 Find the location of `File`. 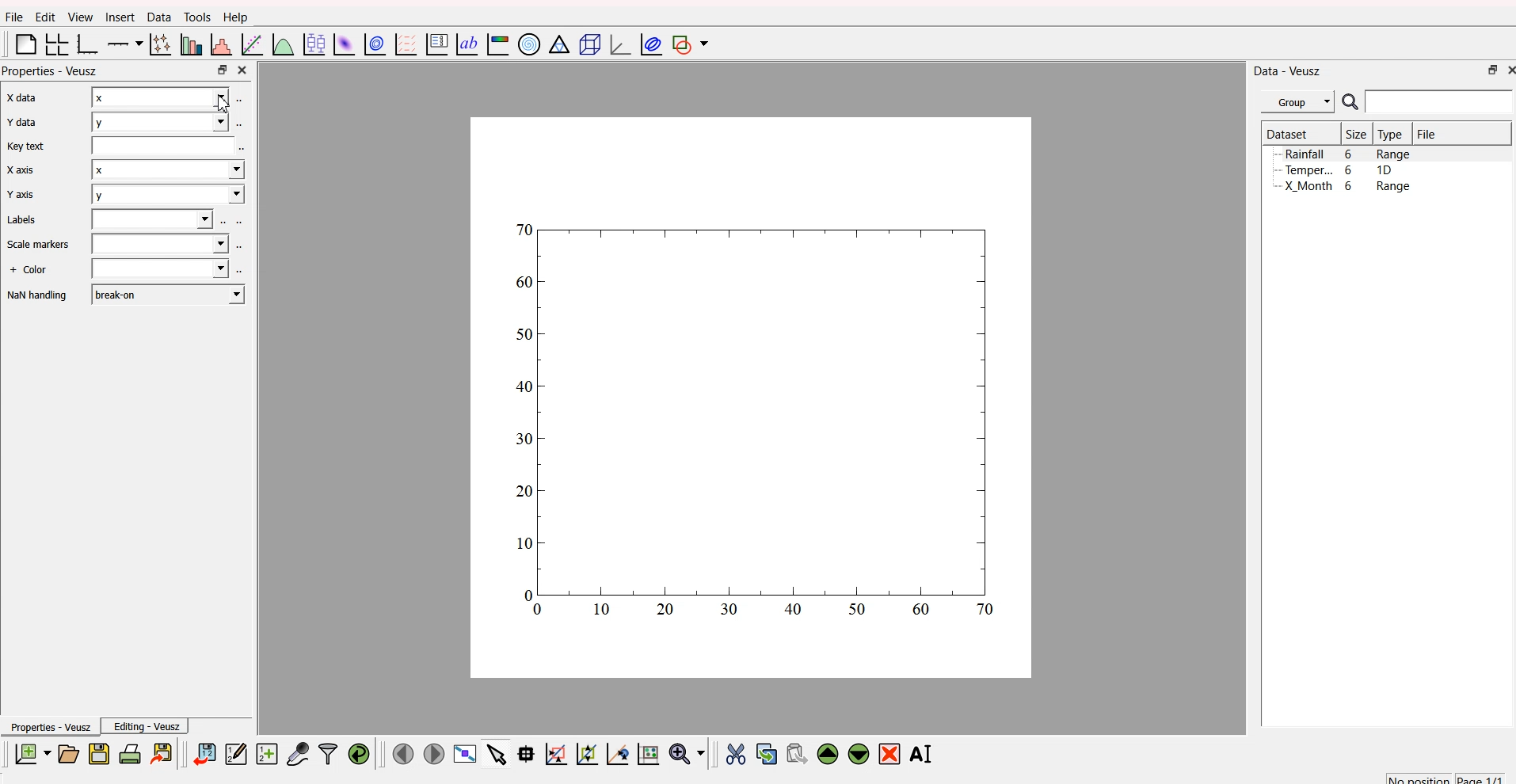

File is located at coordinates (1428, 134).